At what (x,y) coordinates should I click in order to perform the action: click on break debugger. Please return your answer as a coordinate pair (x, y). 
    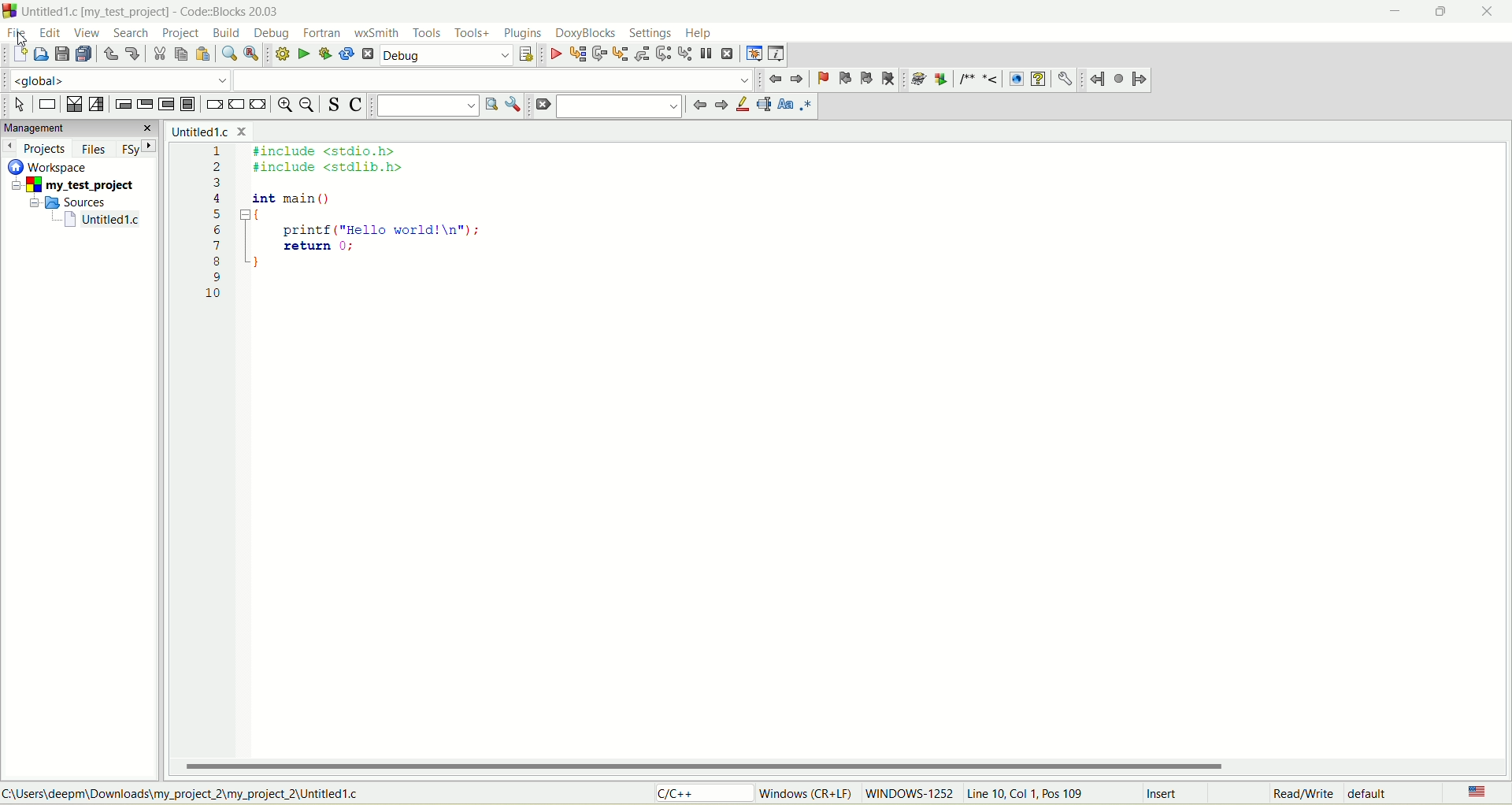
    Looking at the image, I should click on (706, 54).